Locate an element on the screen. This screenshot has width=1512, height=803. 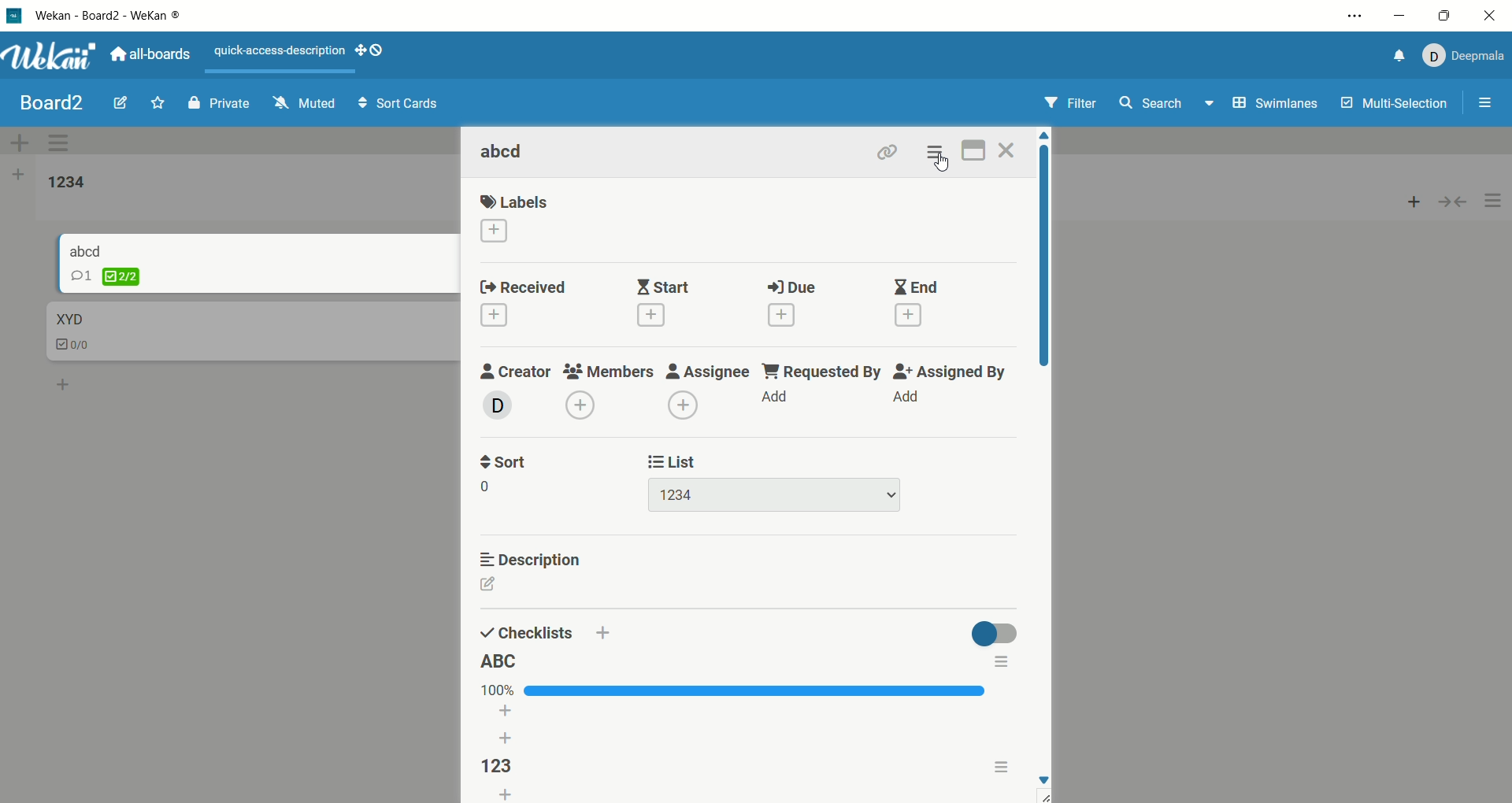
received is located at coordinates (521, 305).